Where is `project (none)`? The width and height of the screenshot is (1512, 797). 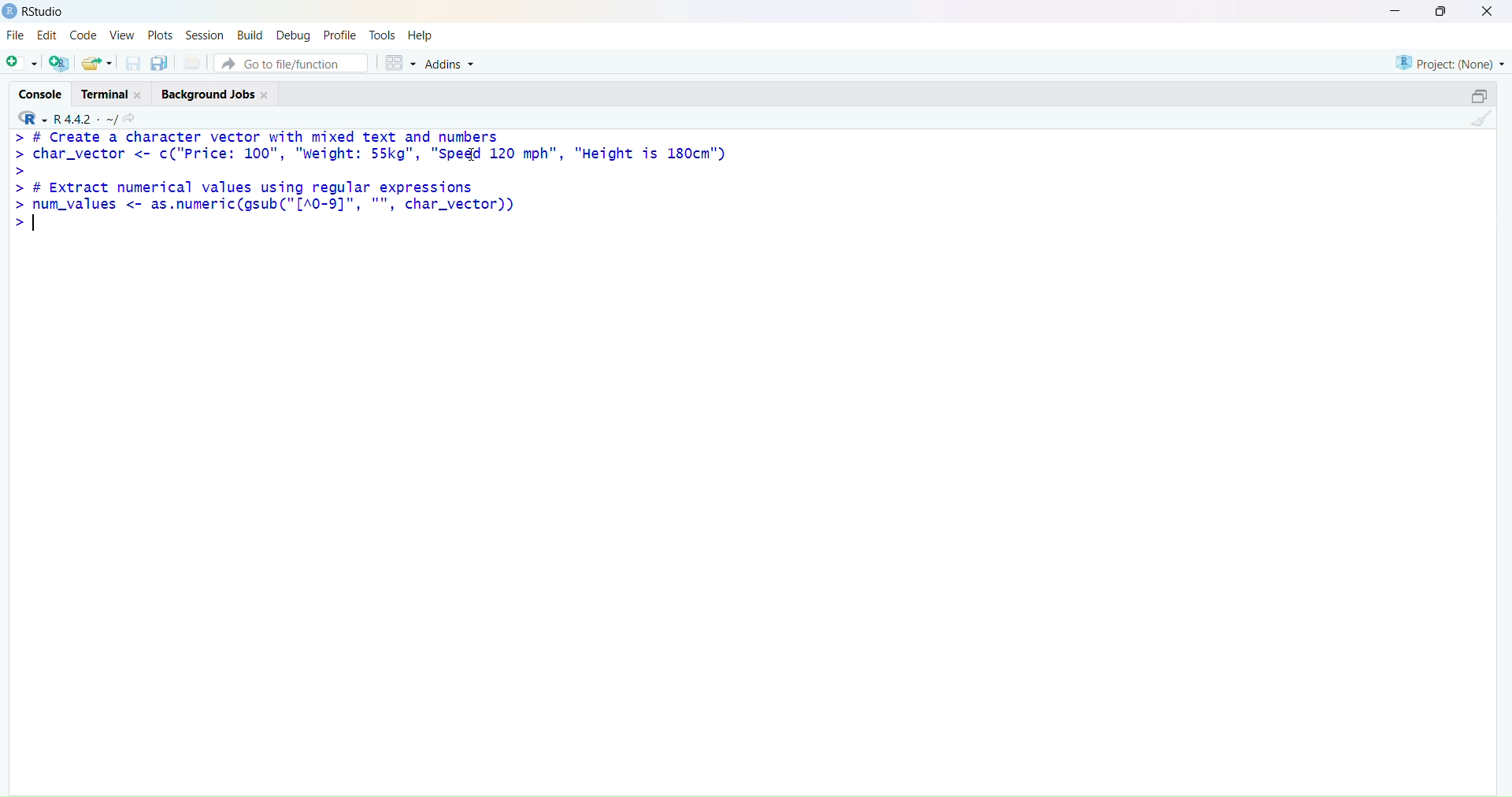 project (none) is located at coordinates (1451, 63).